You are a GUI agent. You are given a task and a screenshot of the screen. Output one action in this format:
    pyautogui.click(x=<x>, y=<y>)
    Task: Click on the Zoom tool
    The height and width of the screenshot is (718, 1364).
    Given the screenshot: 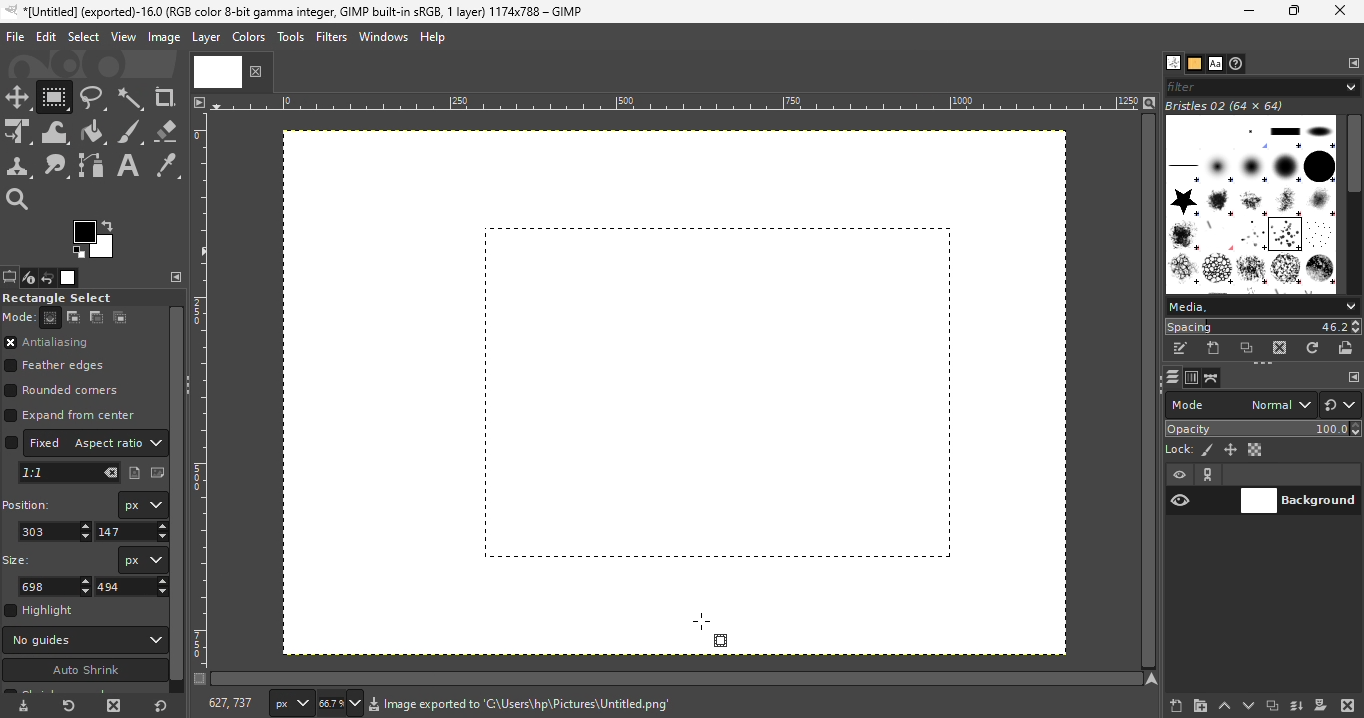 What is the action you would take?
    pyautogui.click(x=20, y=202)
    